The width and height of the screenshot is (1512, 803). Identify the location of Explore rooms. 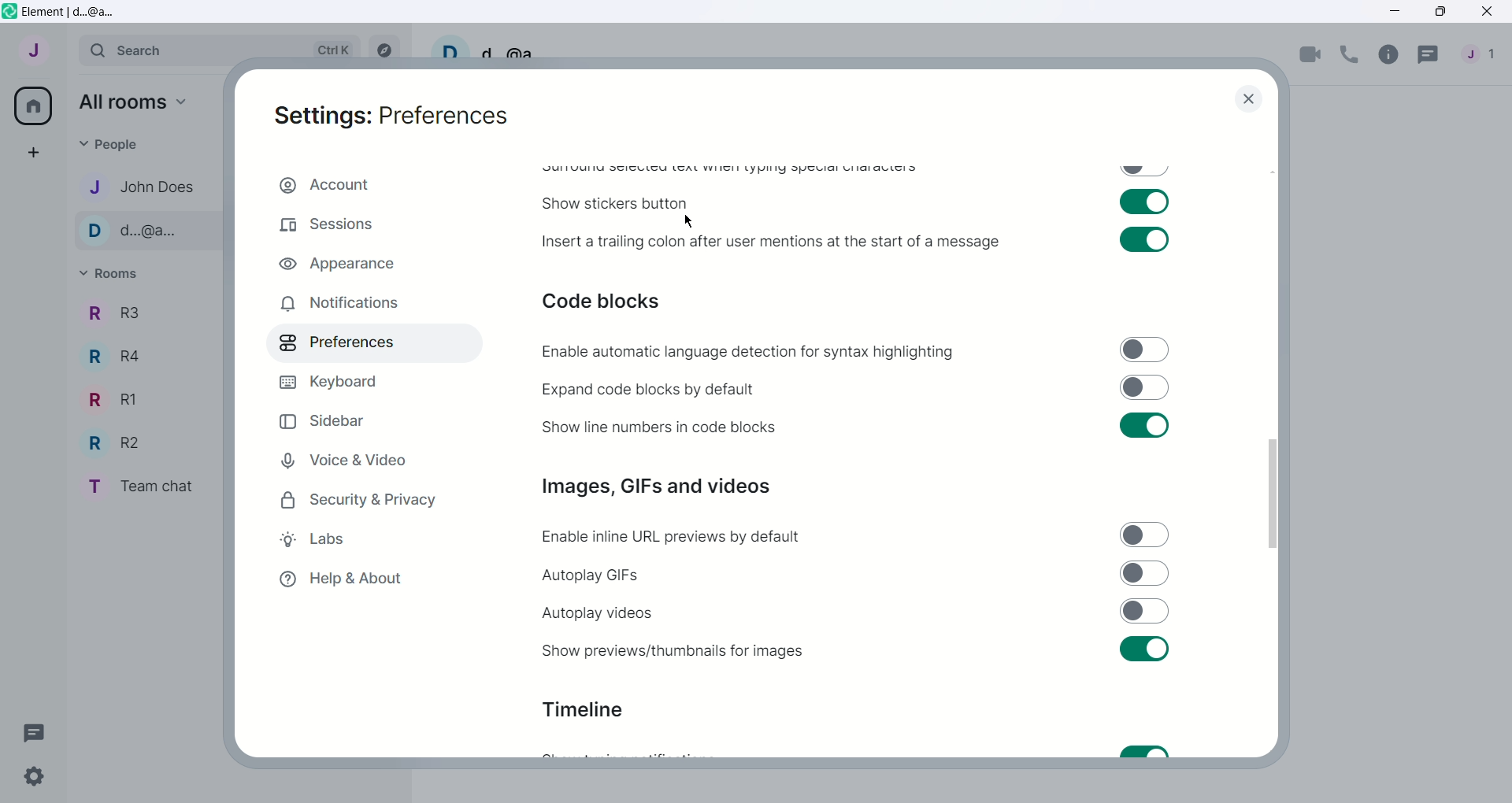
(384, 47).